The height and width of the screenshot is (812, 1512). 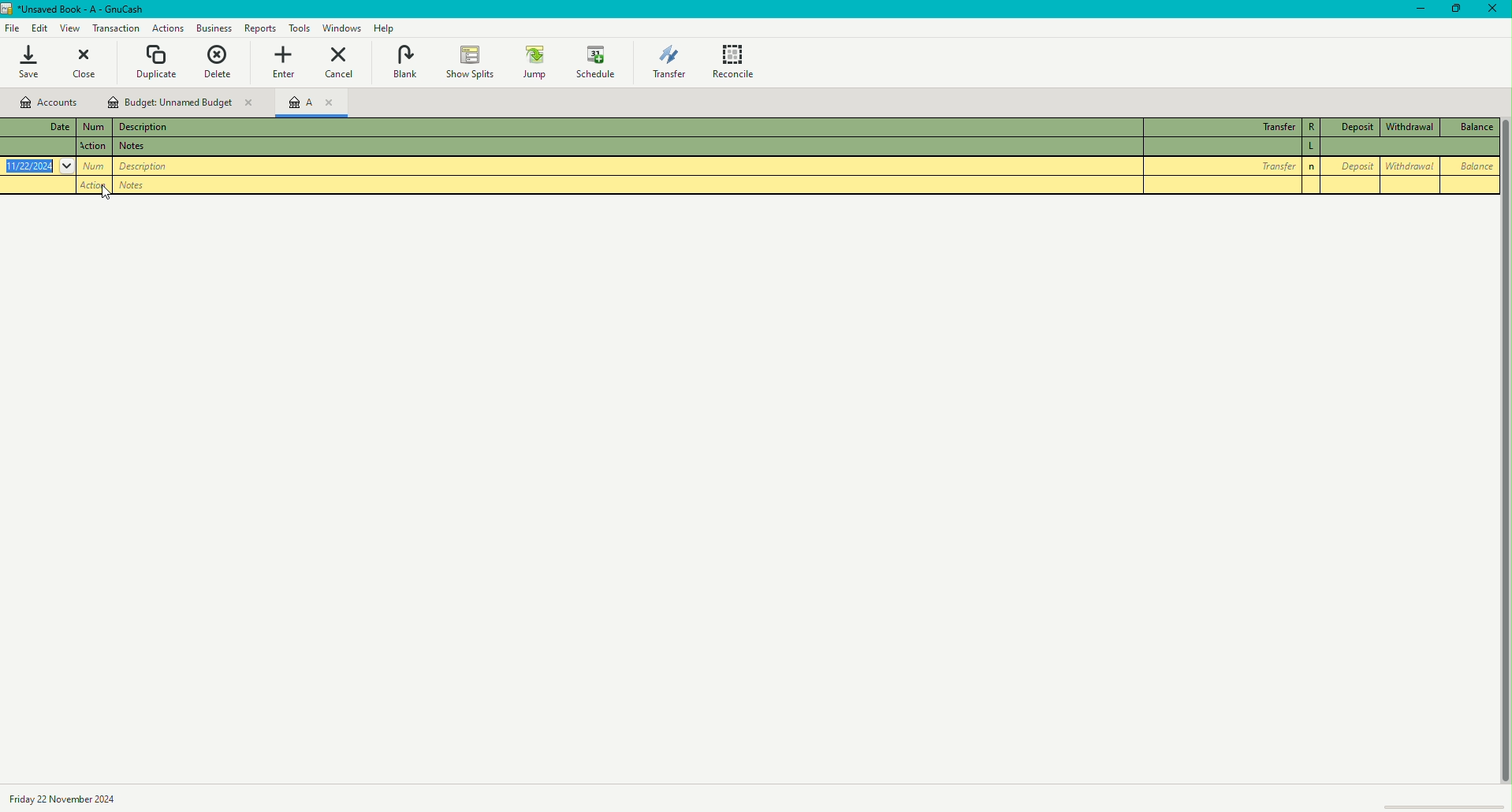 What do you see at coordinates (37, 166) in the screenshot?
I see `Date` at bounding box center [37, 166].